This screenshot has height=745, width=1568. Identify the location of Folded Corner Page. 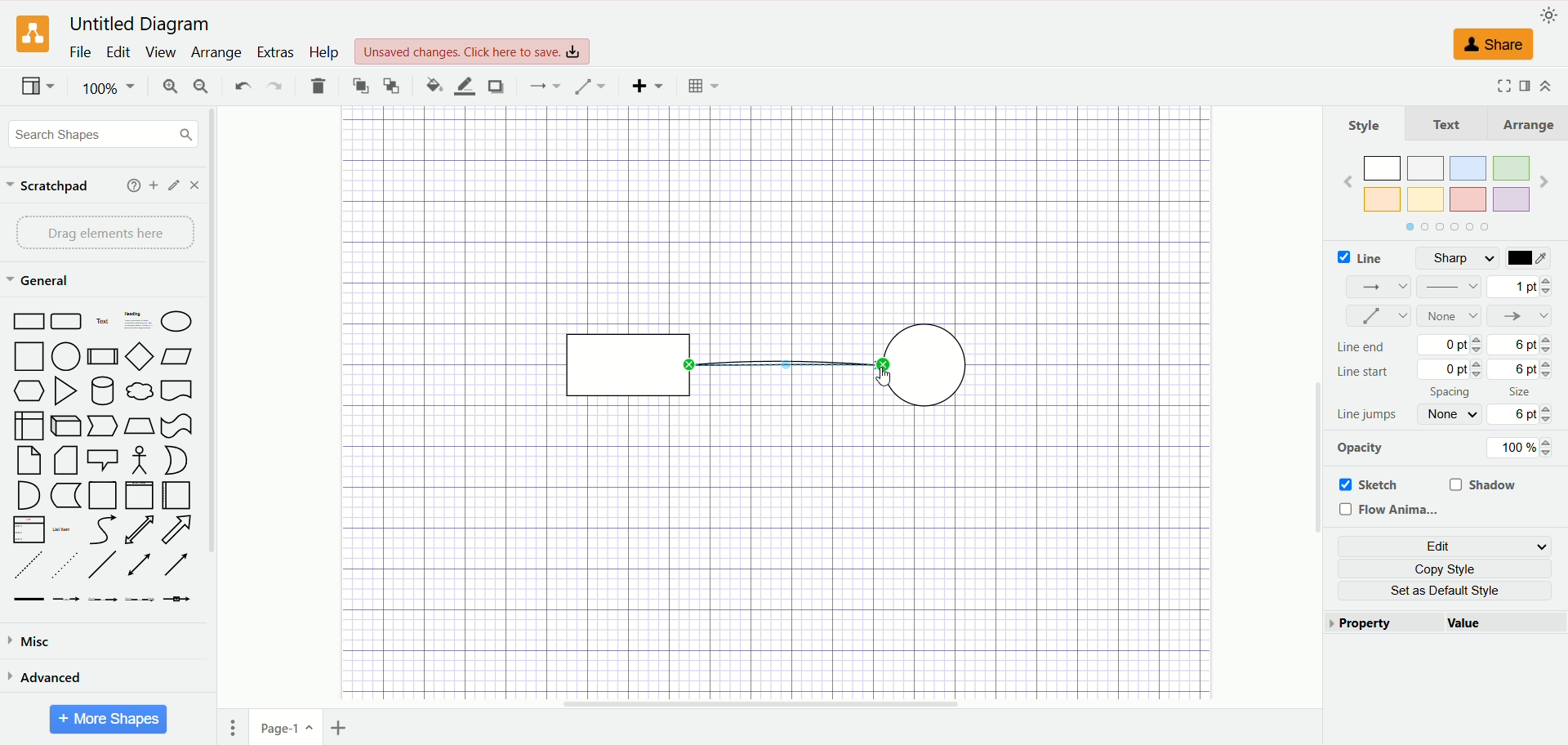
(65, 460).